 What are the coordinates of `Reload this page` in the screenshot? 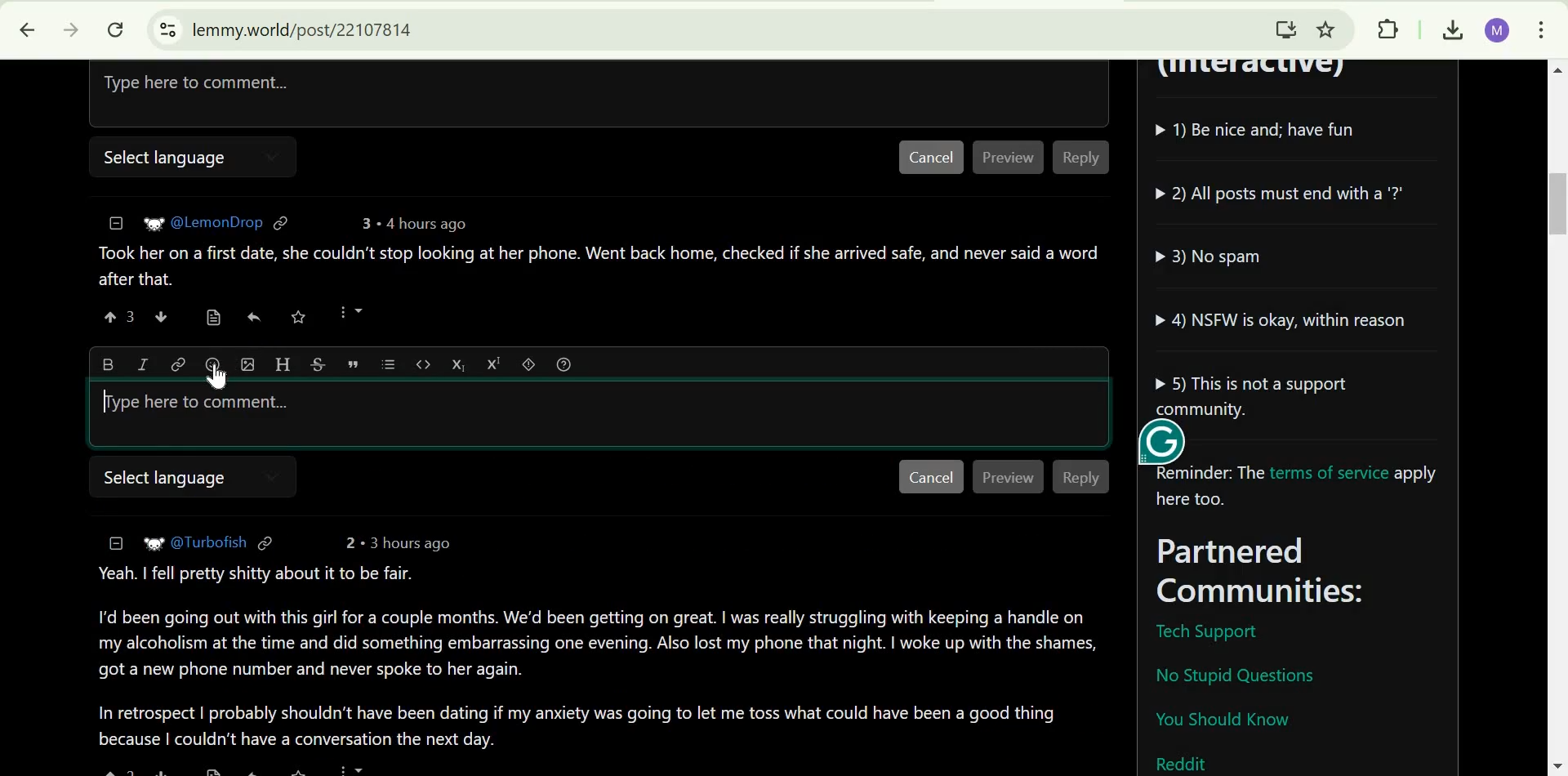 It's located at (117, 29).